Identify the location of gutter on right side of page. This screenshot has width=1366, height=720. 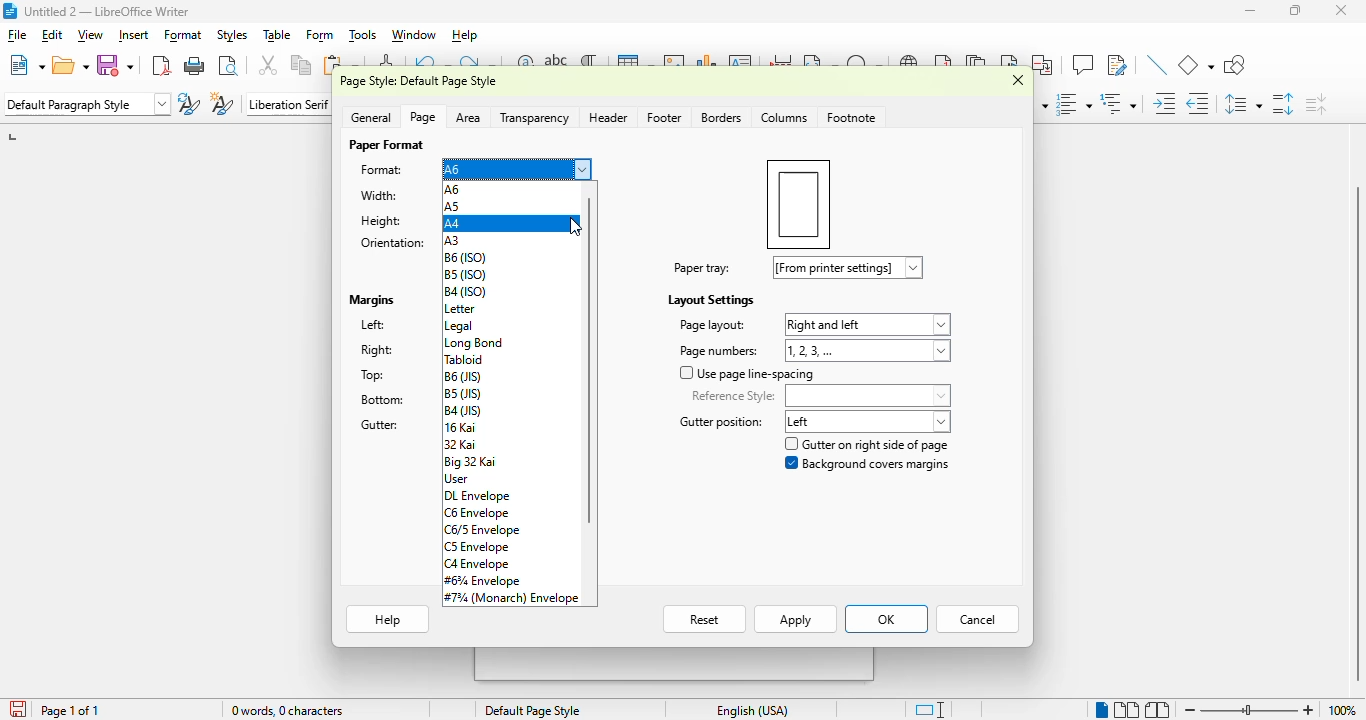
(867, 444).